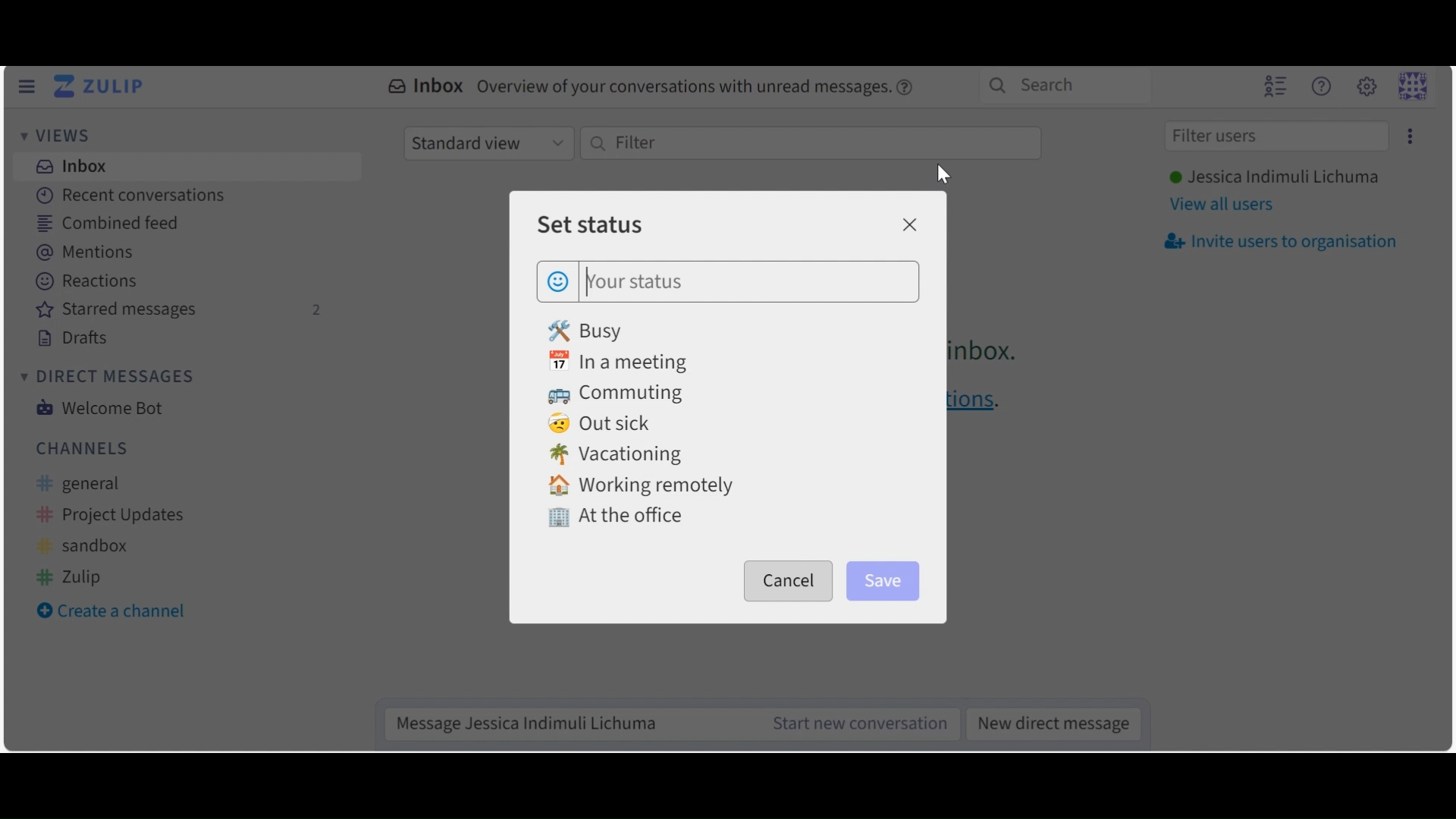 This screenshot has height=819, width=1456. What do you see at coordinates (105, 377) in the screenshot?
I see `Direct Messages` at bounding box center [105, 377].